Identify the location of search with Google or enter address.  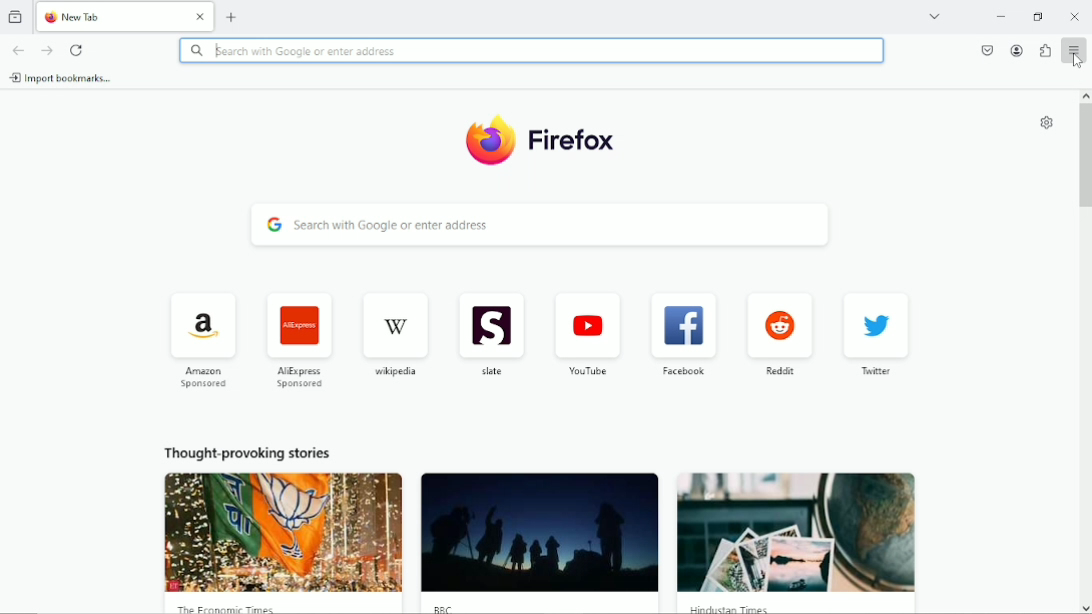
(532, 51).